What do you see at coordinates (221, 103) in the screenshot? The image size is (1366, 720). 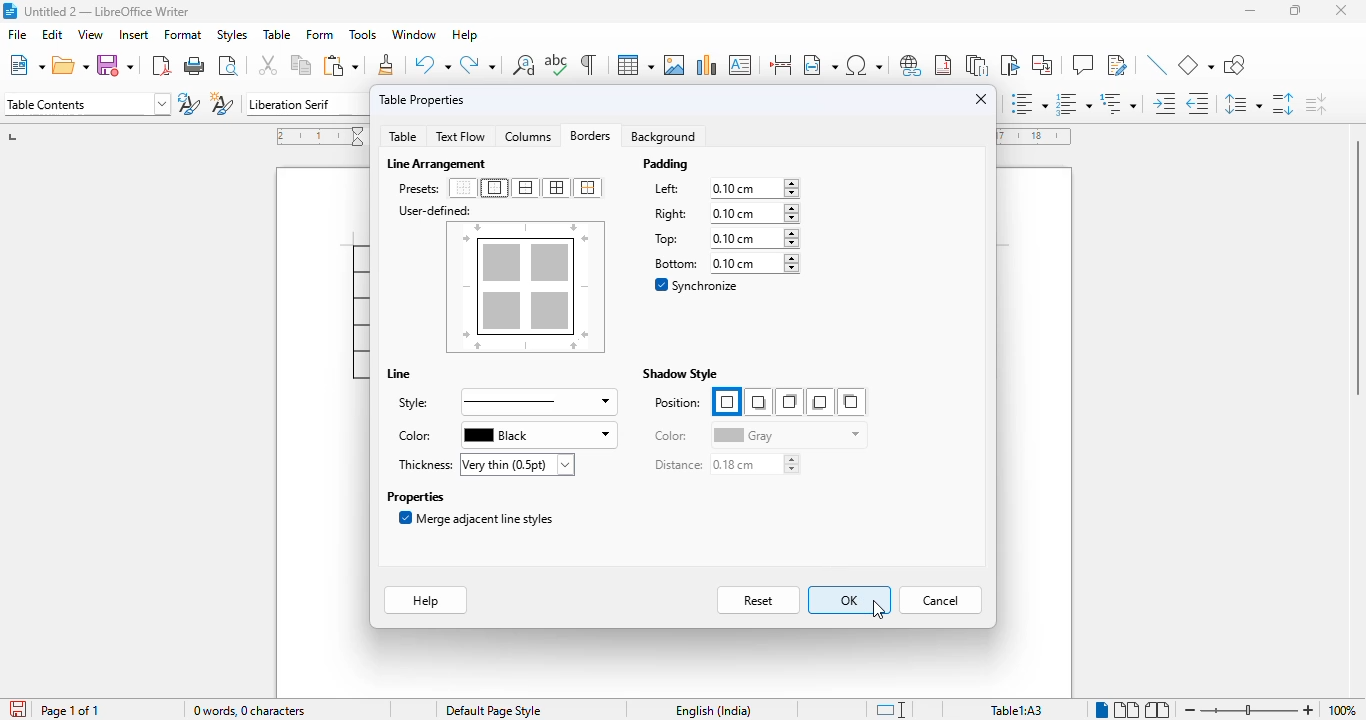 I see `new style from selection` at bounding box center [221, 103].